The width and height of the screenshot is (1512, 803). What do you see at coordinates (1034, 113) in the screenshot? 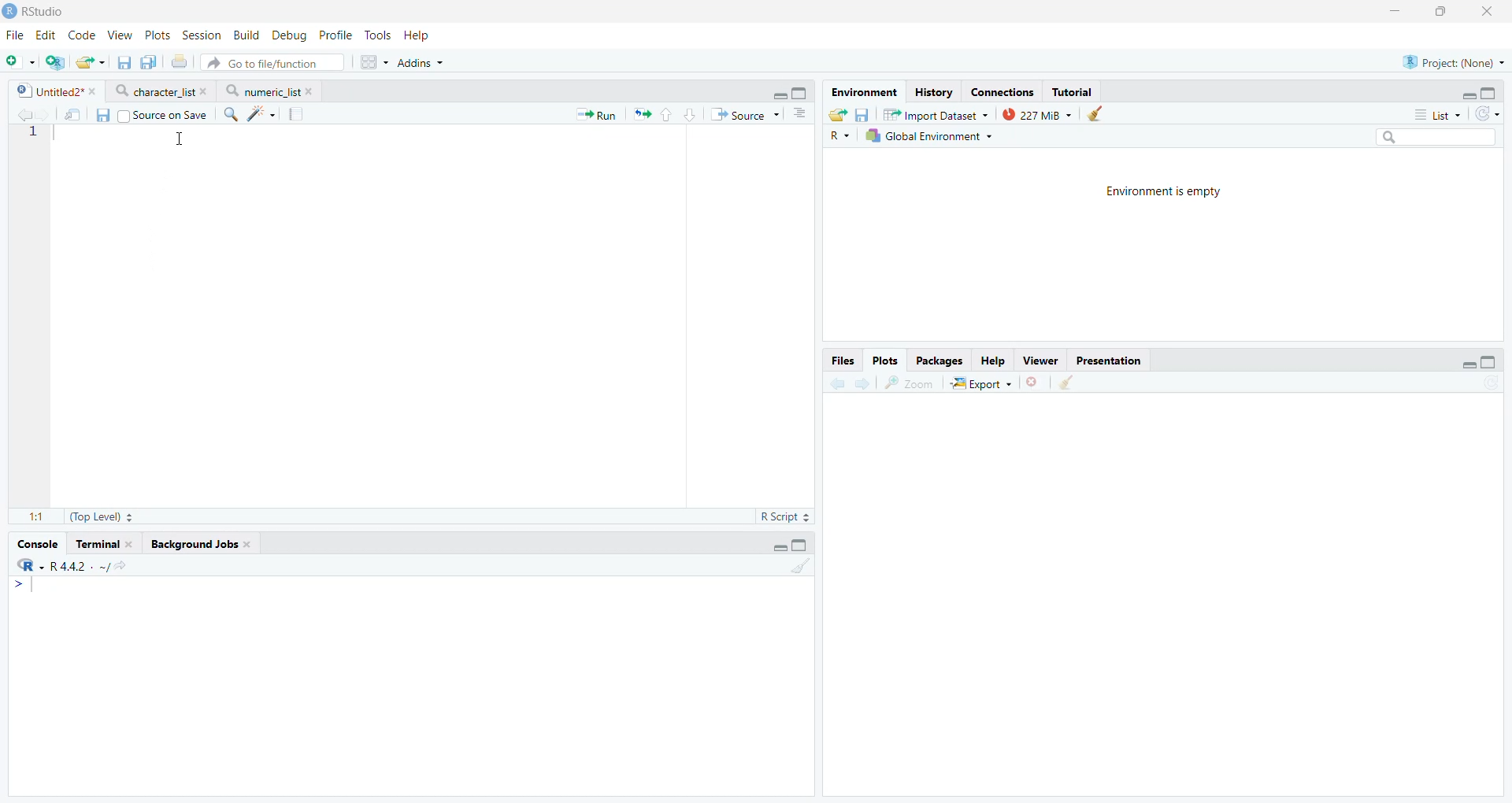
I see `227 MiB` at bounding box center [1034, 113].